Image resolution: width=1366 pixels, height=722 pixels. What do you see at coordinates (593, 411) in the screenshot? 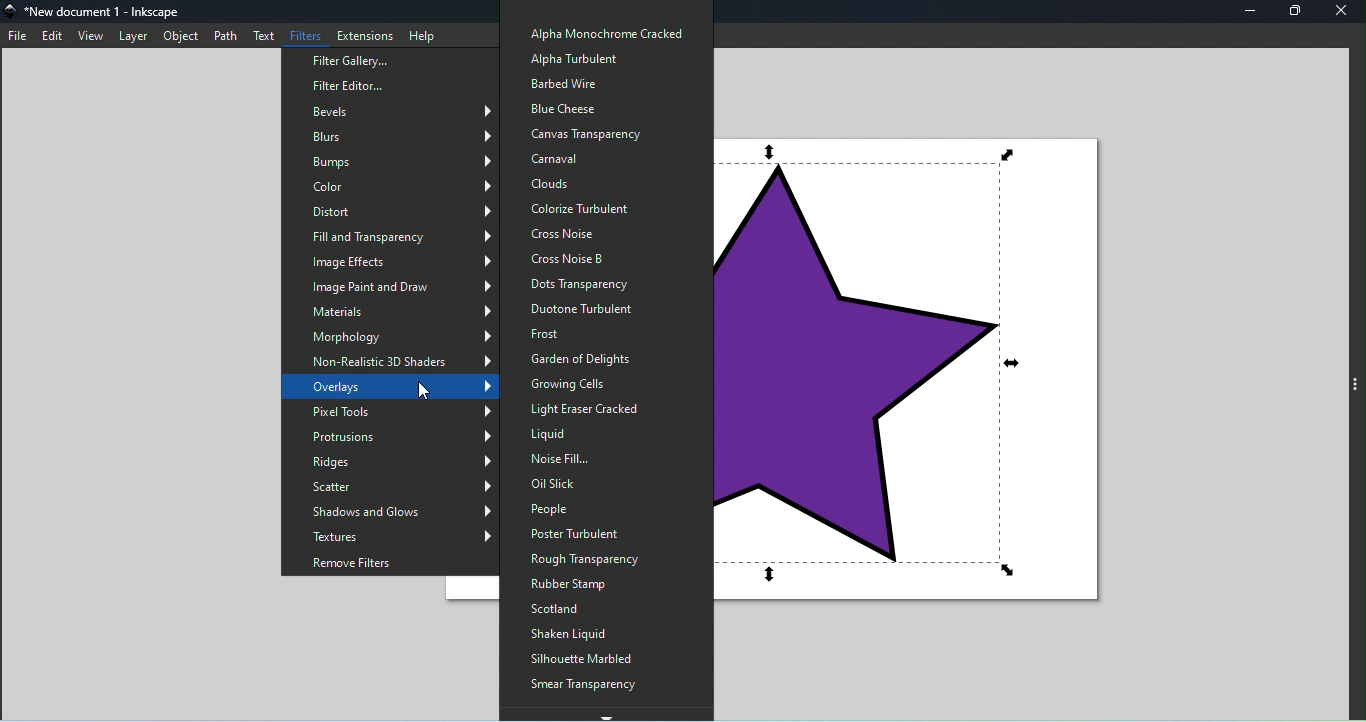
I see `Light eraser cracked` at bounding box center [593, 411].